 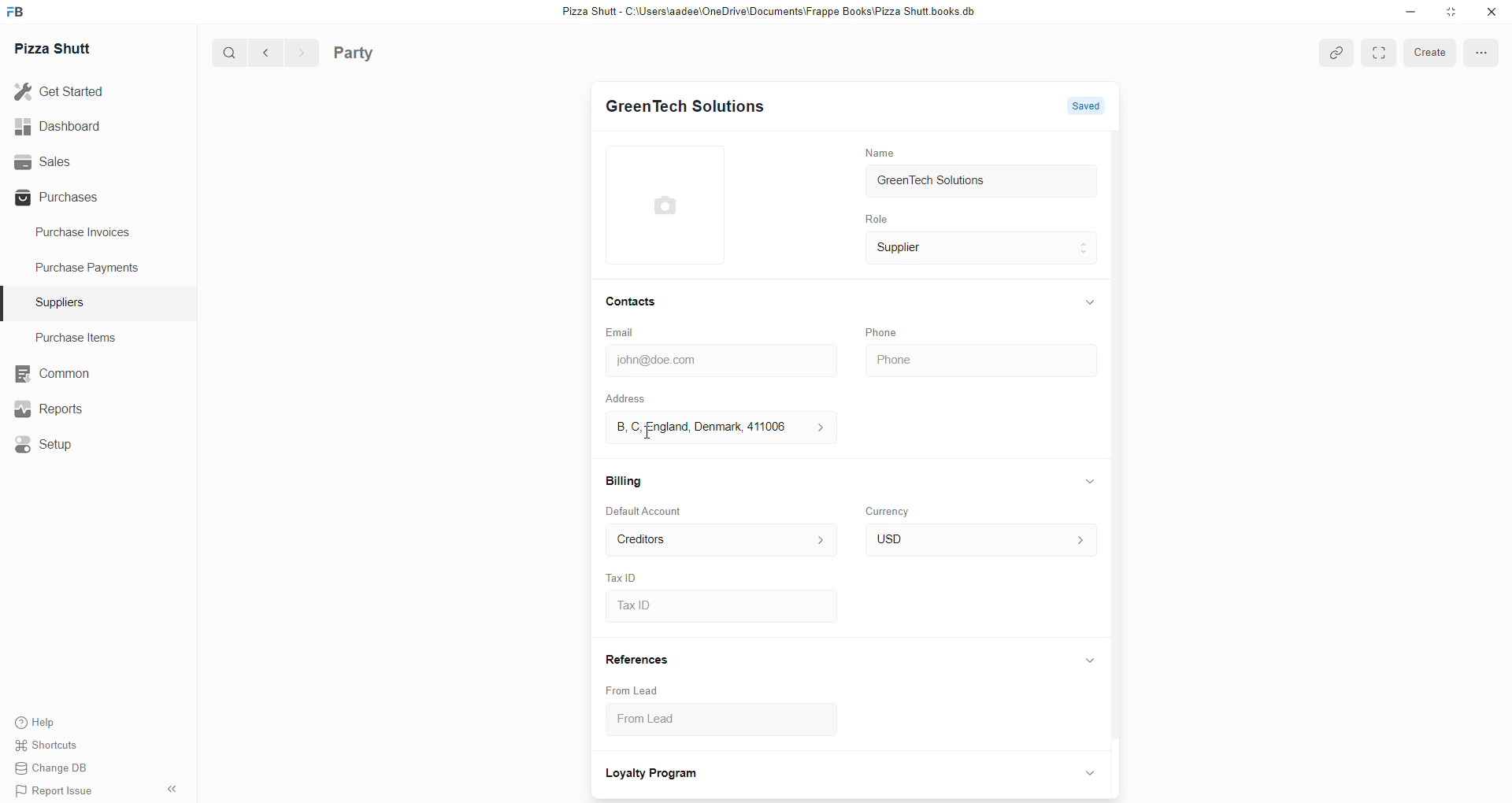 I want to click on Pizza Shutt, so click(x=58, y=49).